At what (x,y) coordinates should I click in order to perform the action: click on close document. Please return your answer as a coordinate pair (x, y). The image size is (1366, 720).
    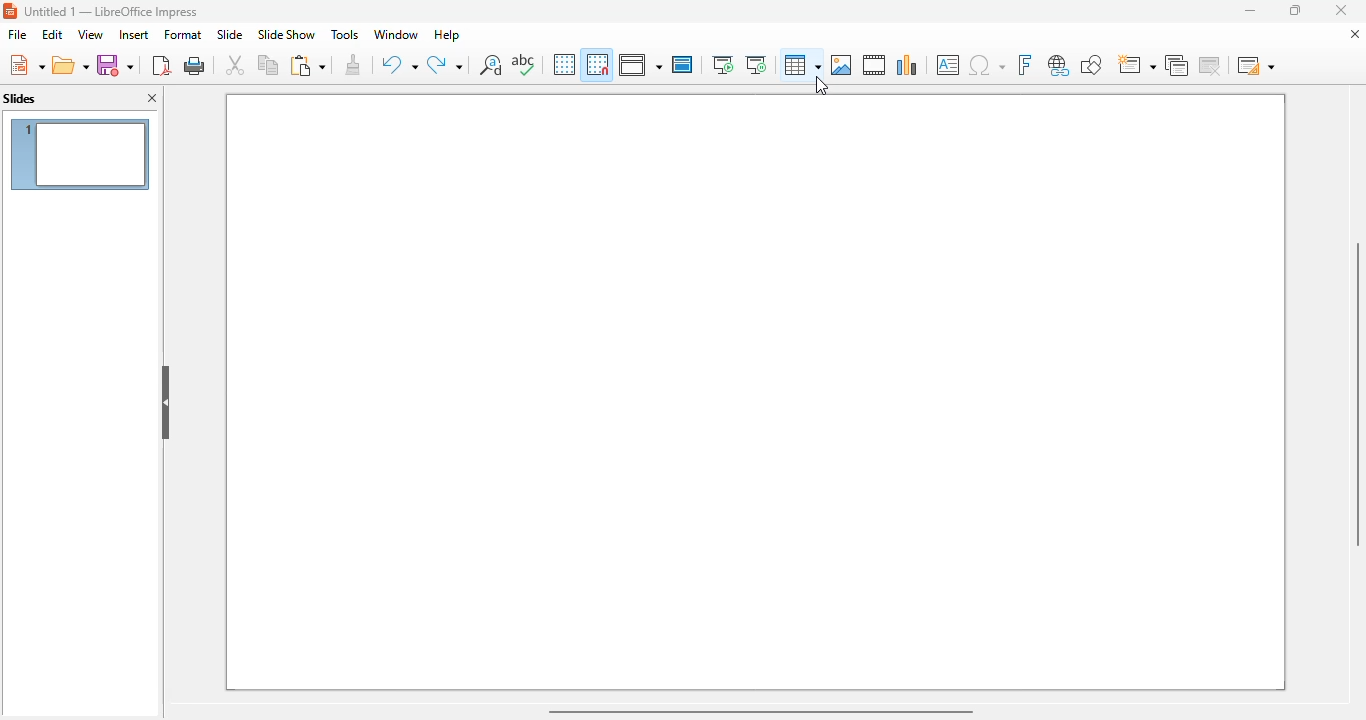
    Looking at the image, I should click on (1355, 34).